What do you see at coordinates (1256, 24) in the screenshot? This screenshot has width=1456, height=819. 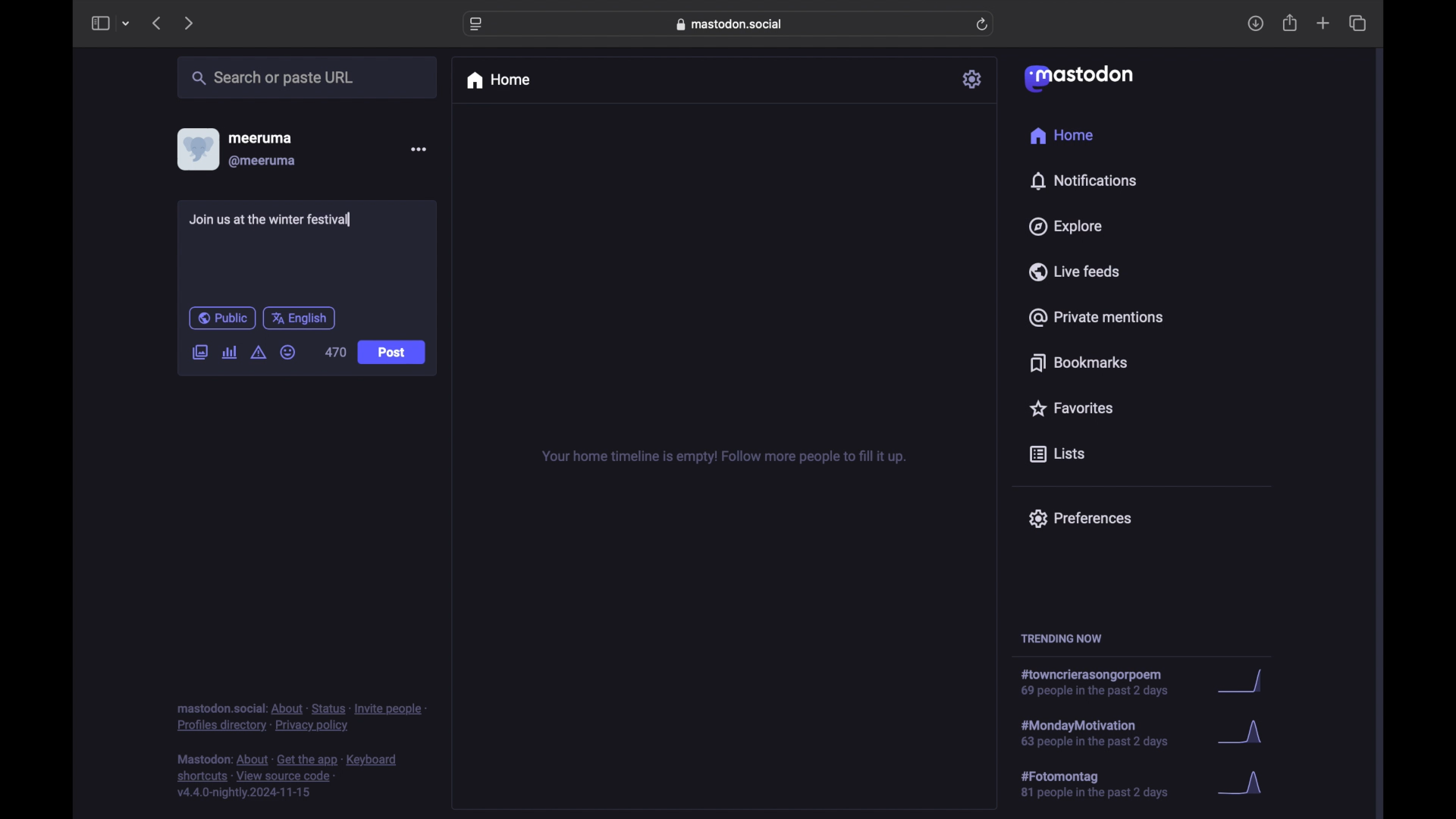 I see `download` at bounding box center [1256, 24].